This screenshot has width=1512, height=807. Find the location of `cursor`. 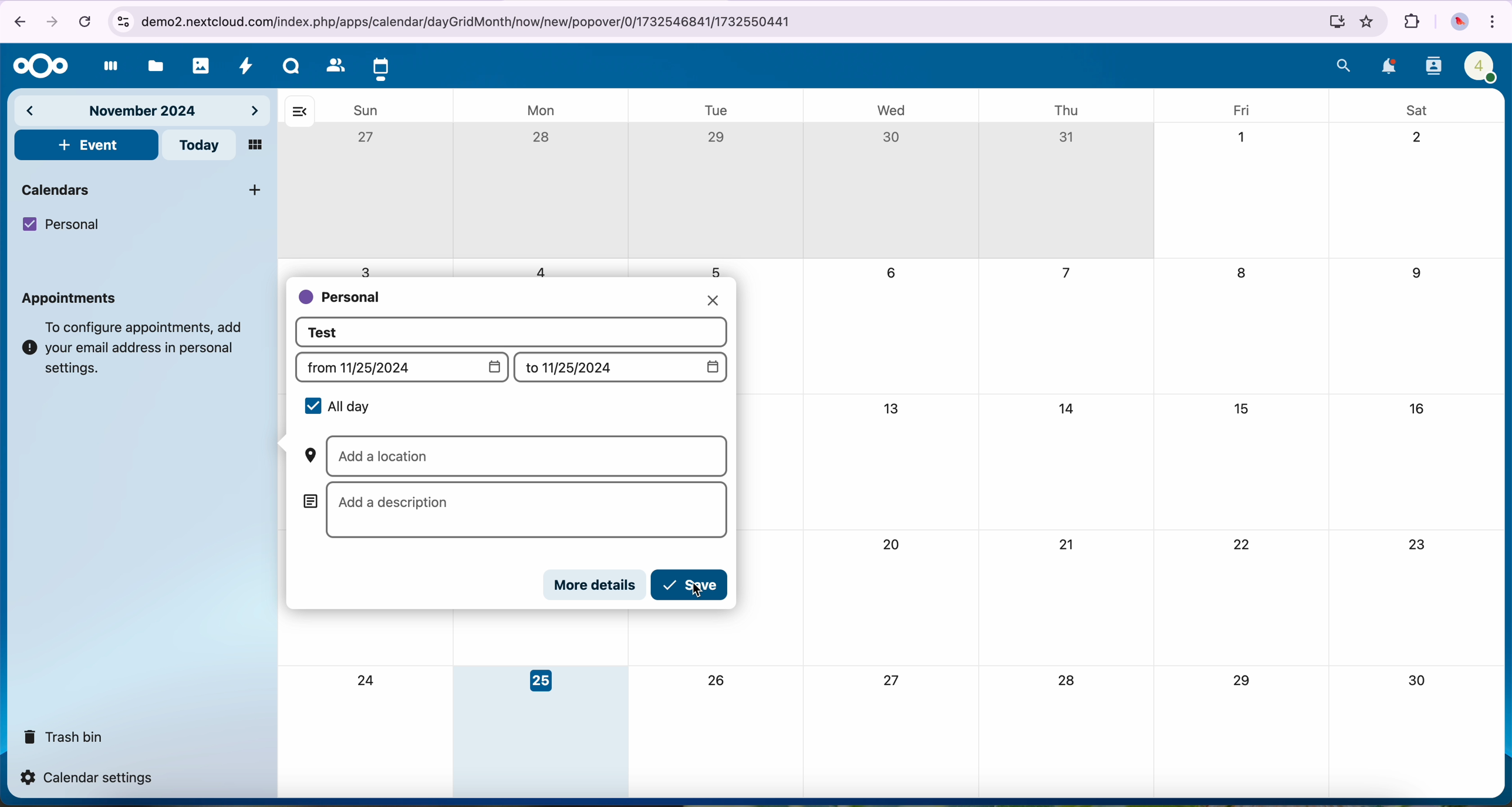

cursor is located at coordinates (699, 593).